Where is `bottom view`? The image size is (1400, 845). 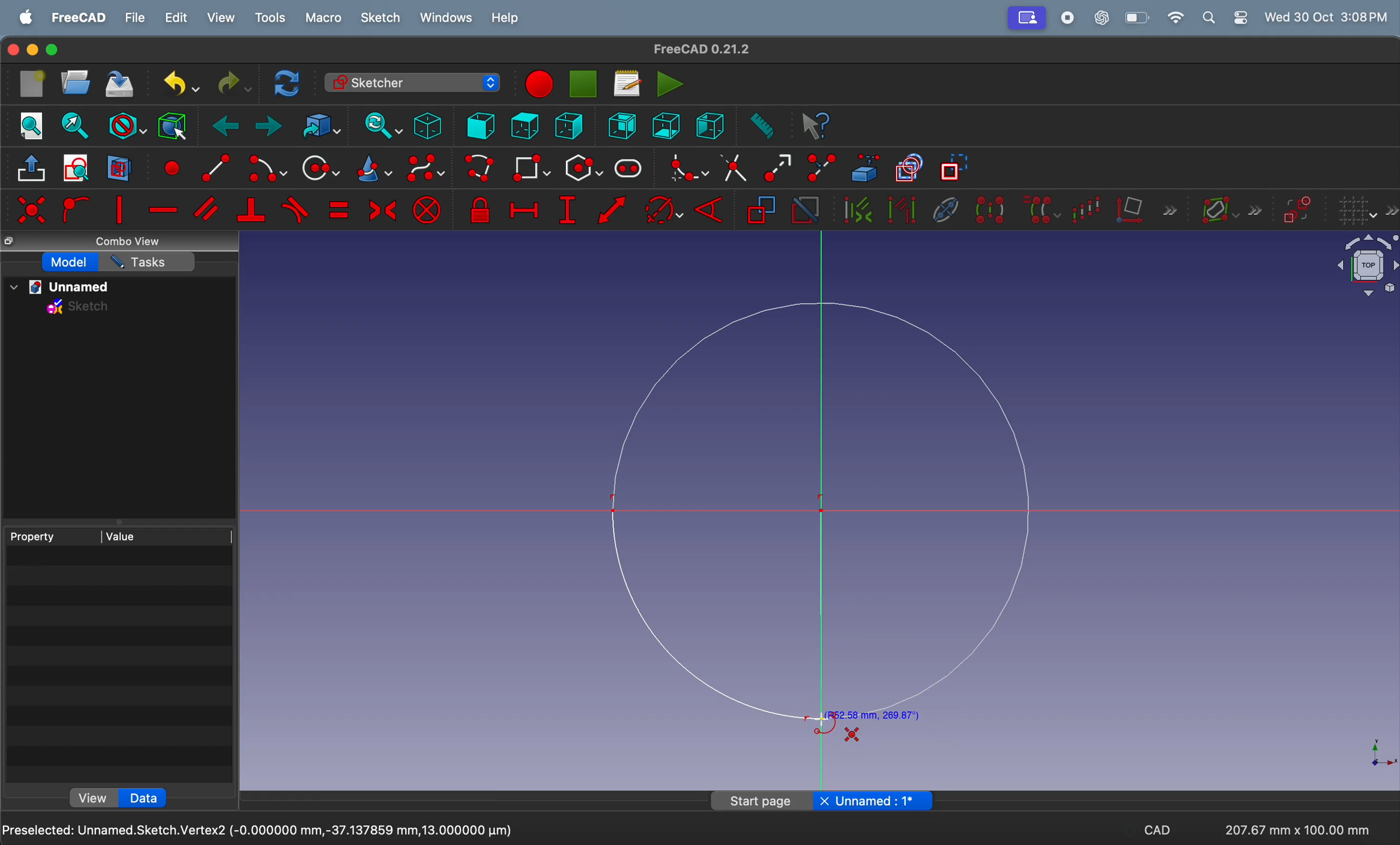
bottom view is located at coordinates (668, 124).